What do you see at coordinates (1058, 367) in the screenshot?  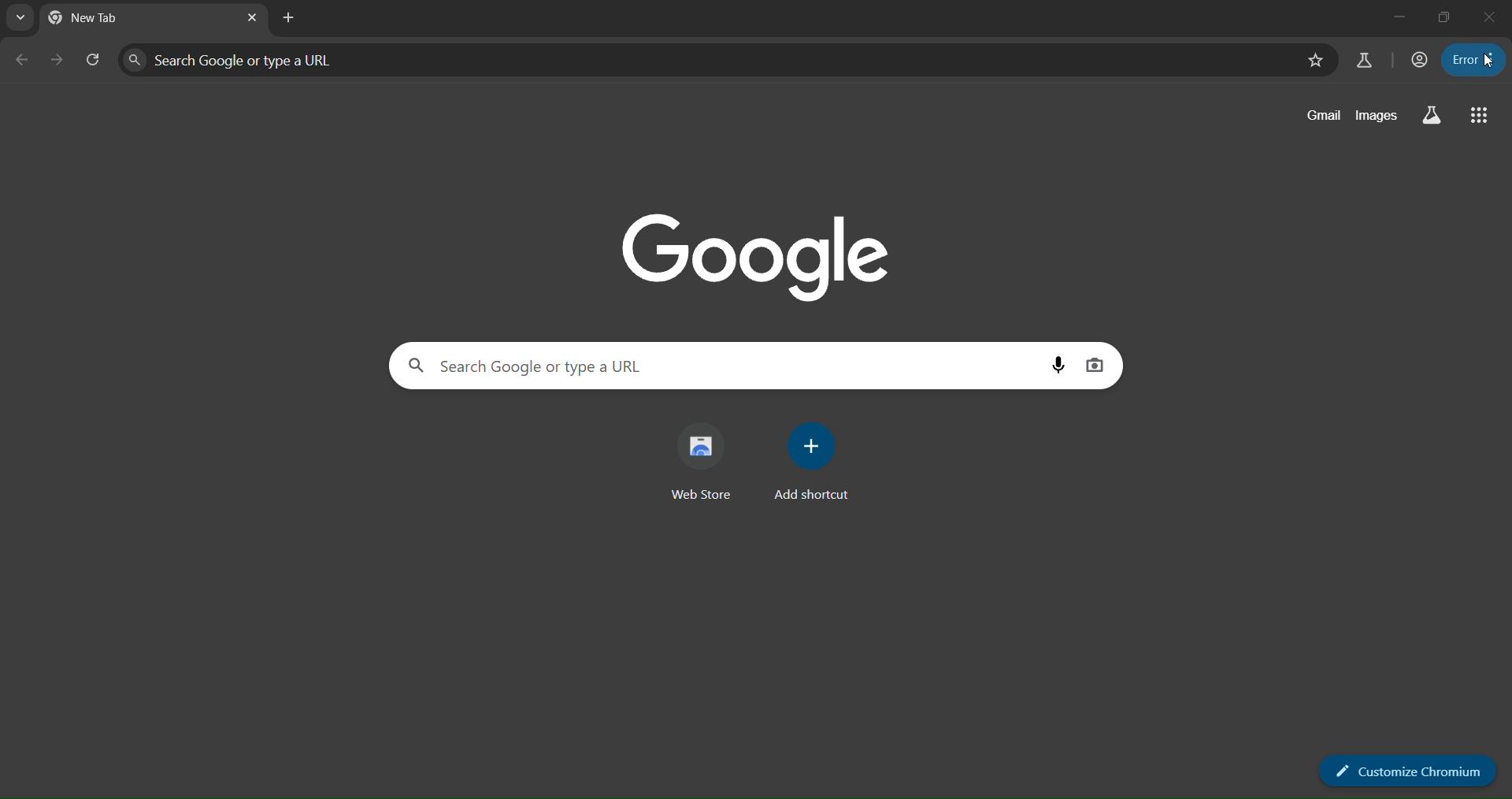 I see `voice search` at bounding box center [1058, 367].